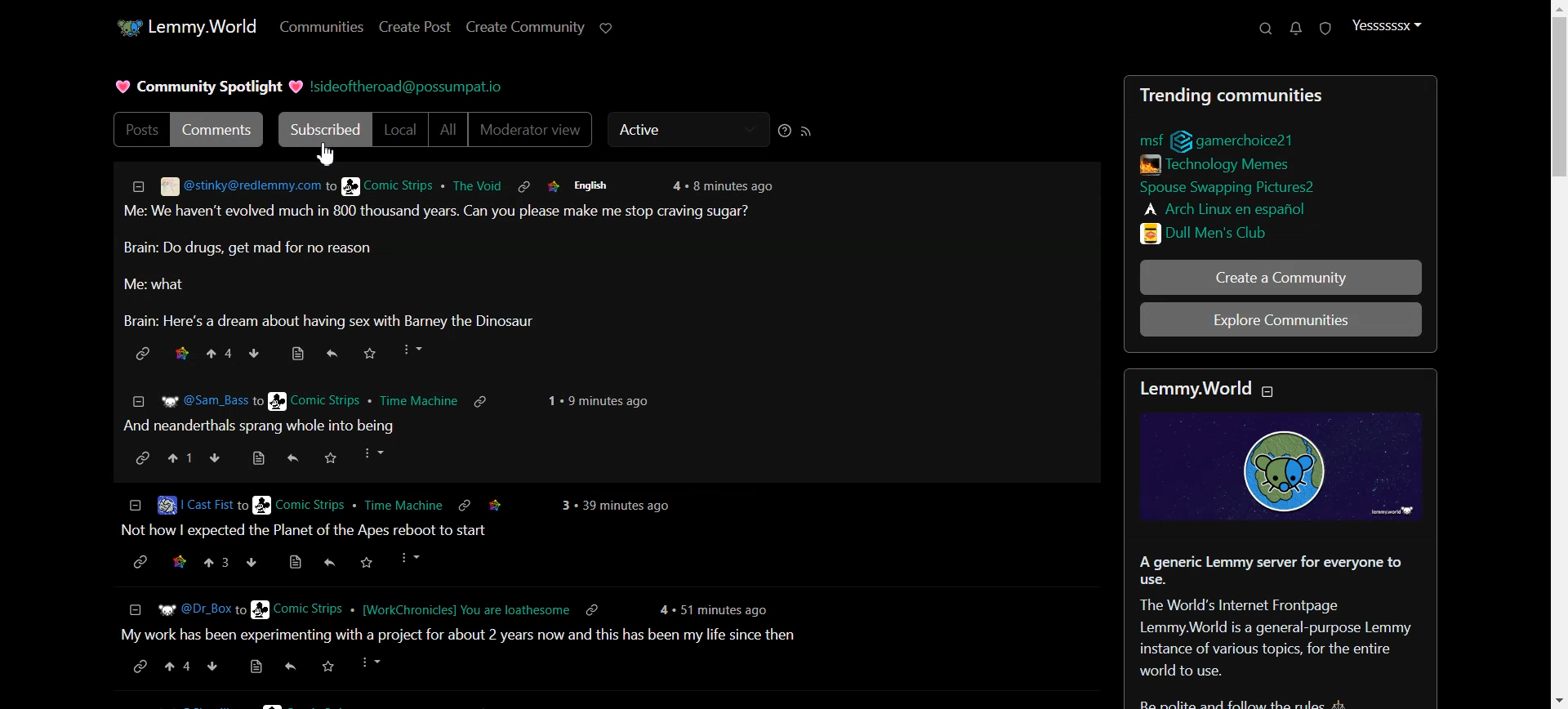 This screenshot has height=709, width=1568. Describe the element at coordinates (257, 353) in the screenshot. I see `downvote` at that location.